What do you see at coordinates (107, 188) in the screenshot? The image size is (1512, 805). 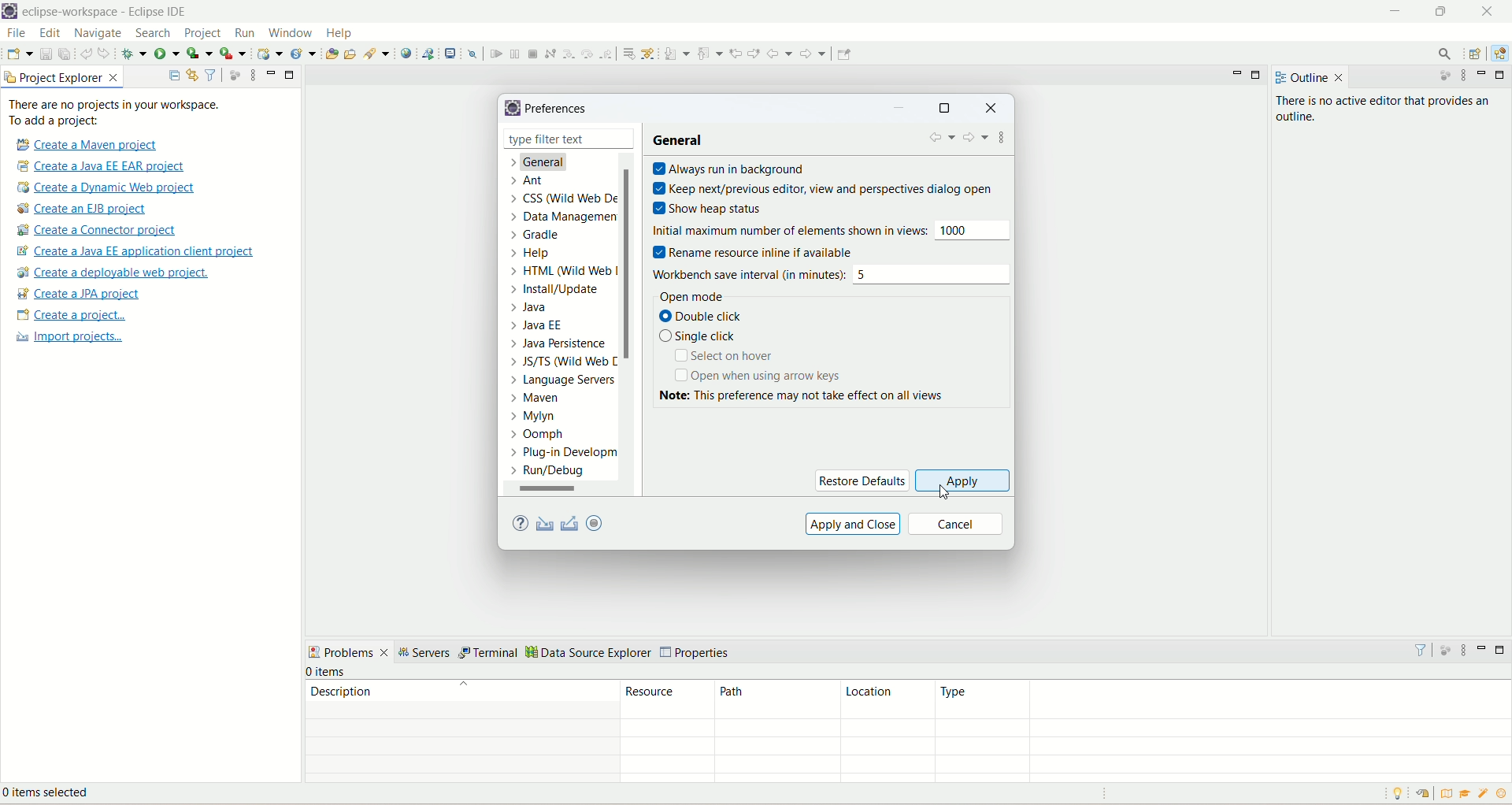 I see `create a Dynamic web project` at bounding box center [107, 188].